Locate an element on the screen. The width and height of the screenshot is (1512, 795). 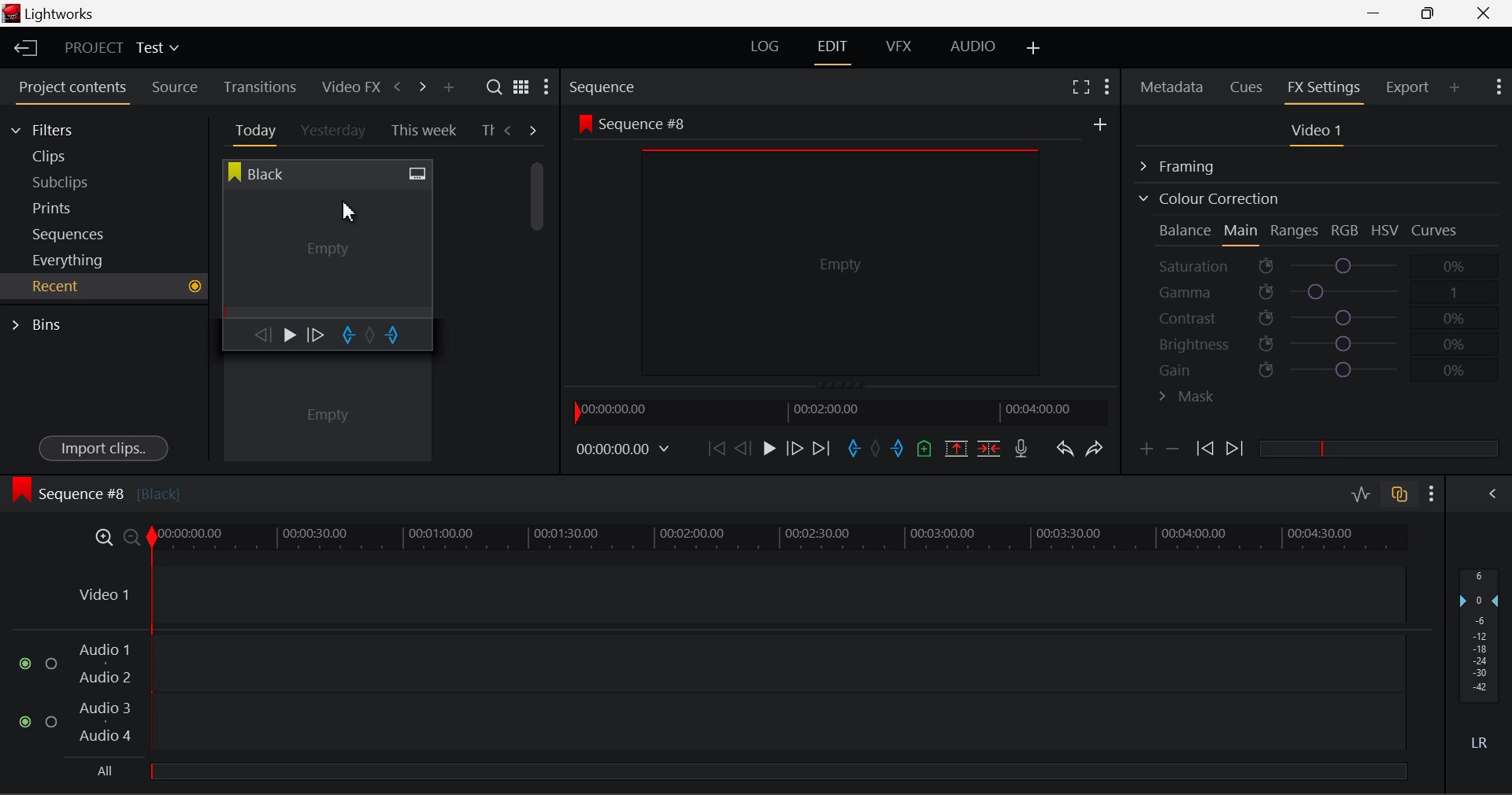
HSV is located at coordinates (1385, 230).